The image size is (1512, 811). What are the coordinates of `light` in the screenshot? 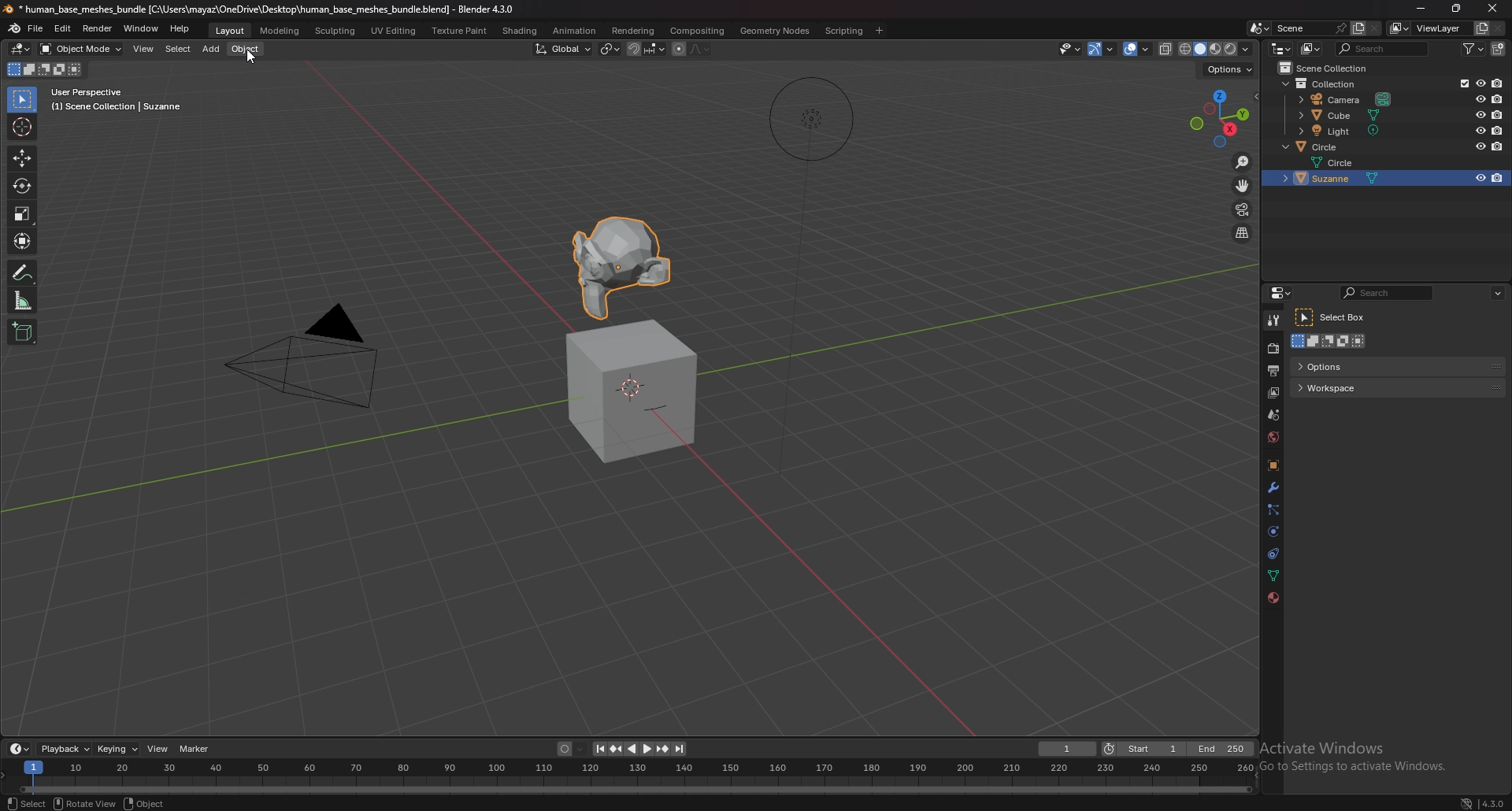 It's located at (1340, 131).